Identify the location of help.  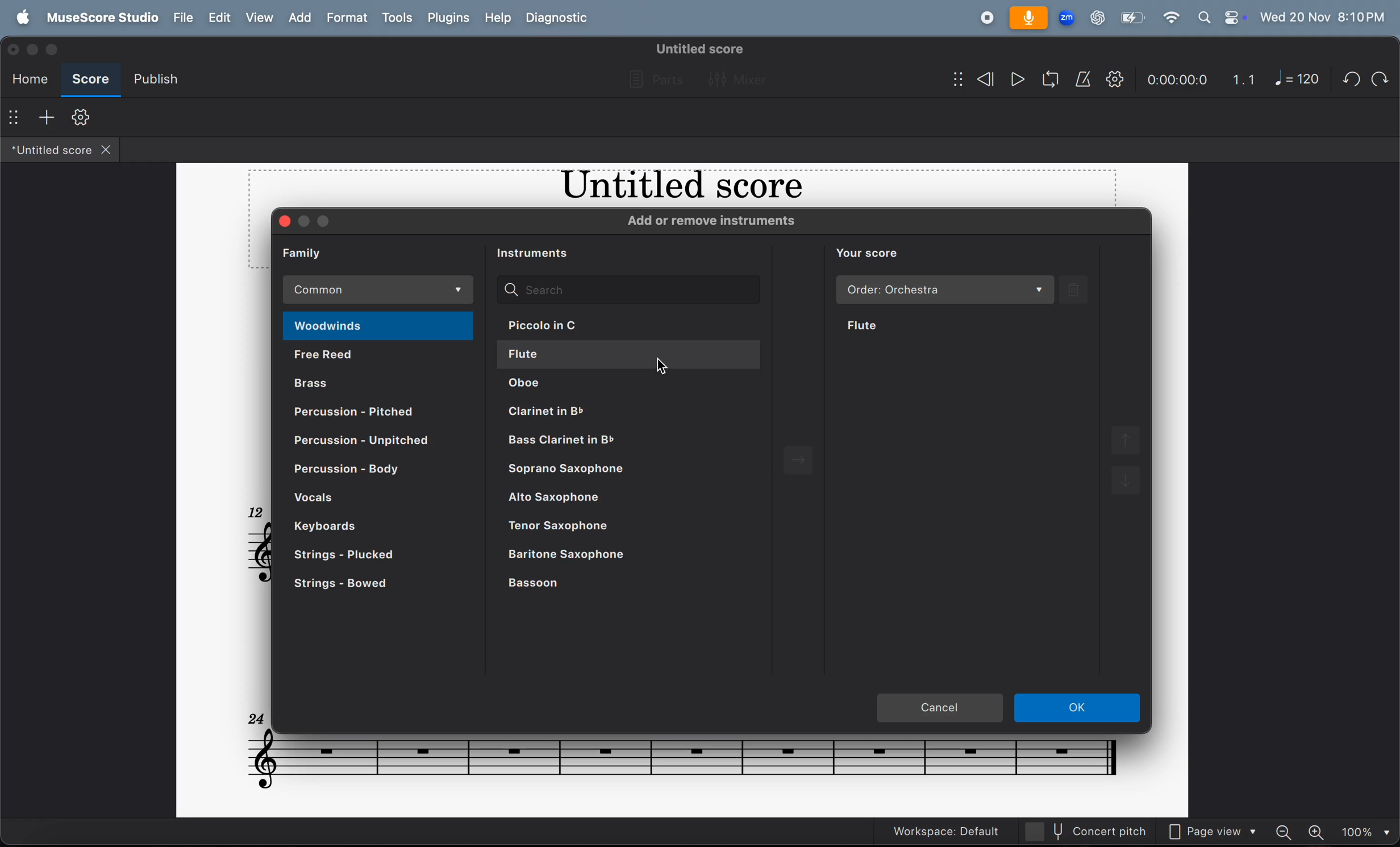
(501, 18).